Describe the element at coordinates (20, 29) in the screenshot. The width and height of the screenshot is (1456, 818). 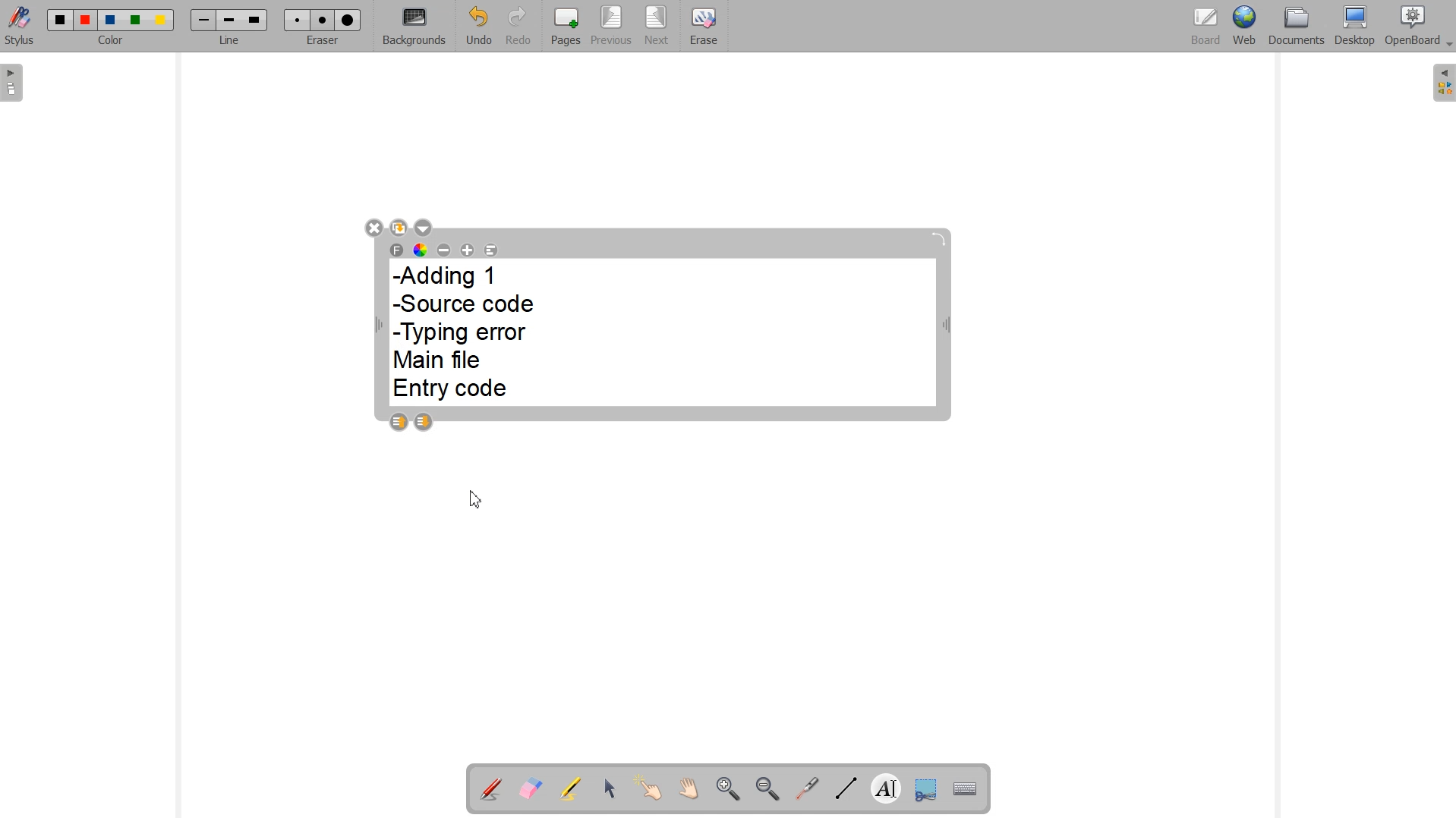
I see `Stylus` at that location.